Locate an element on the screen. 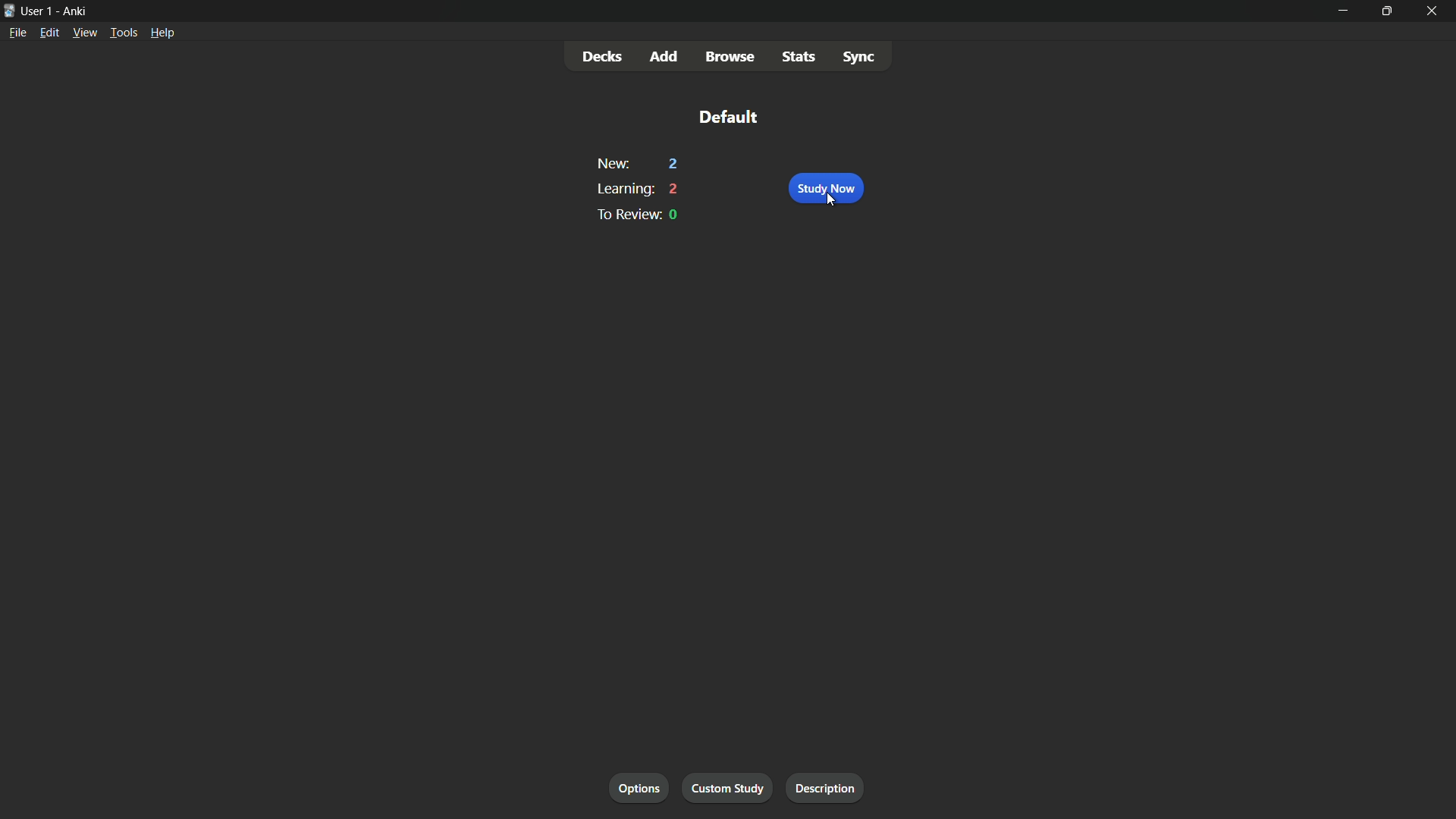 This screenshot has width=1456, height=819. 0 is located at coordinates (676, 215).